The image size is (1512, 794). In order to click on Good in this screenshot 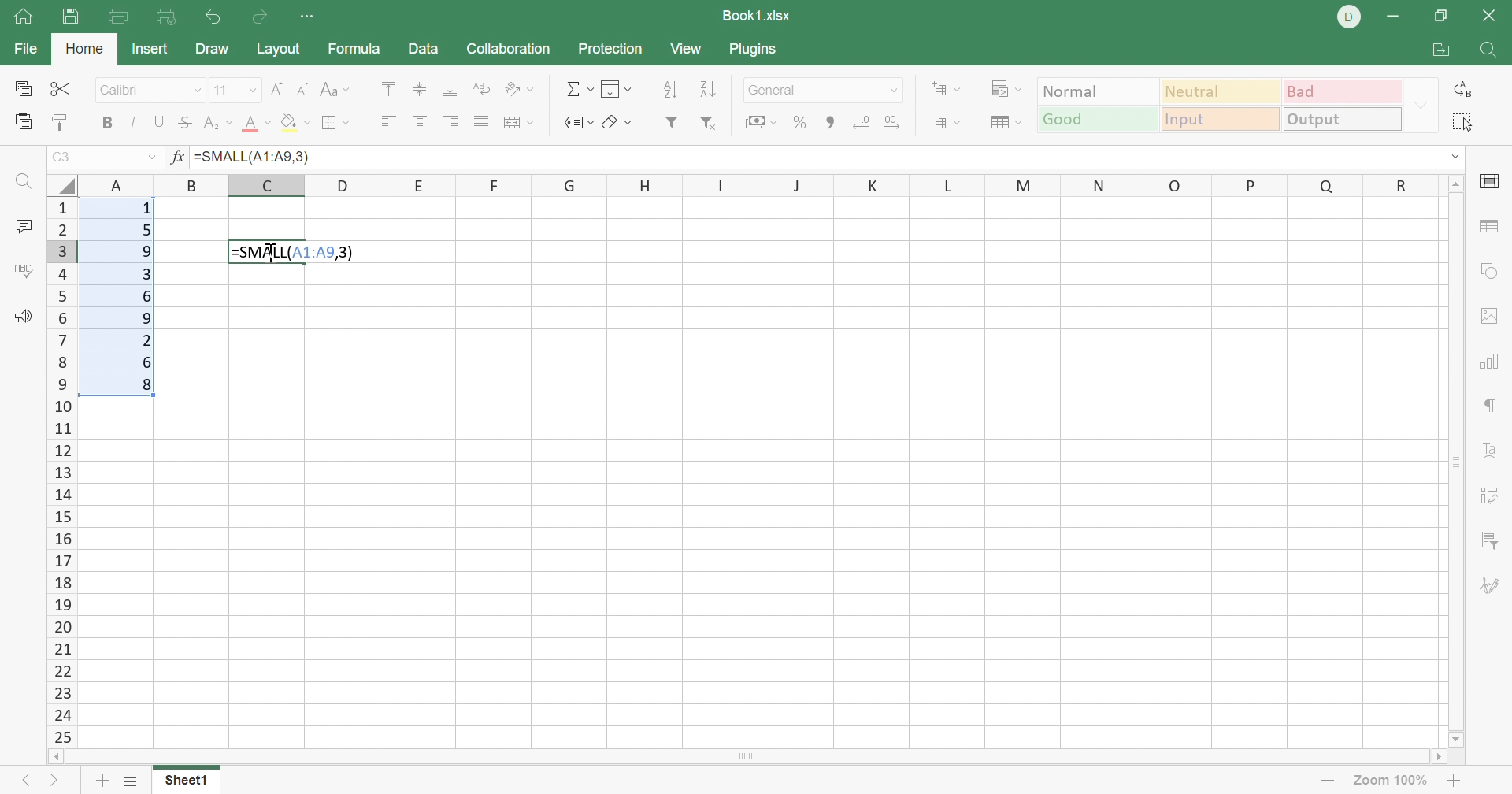, I will do `click(1099, 119)`.